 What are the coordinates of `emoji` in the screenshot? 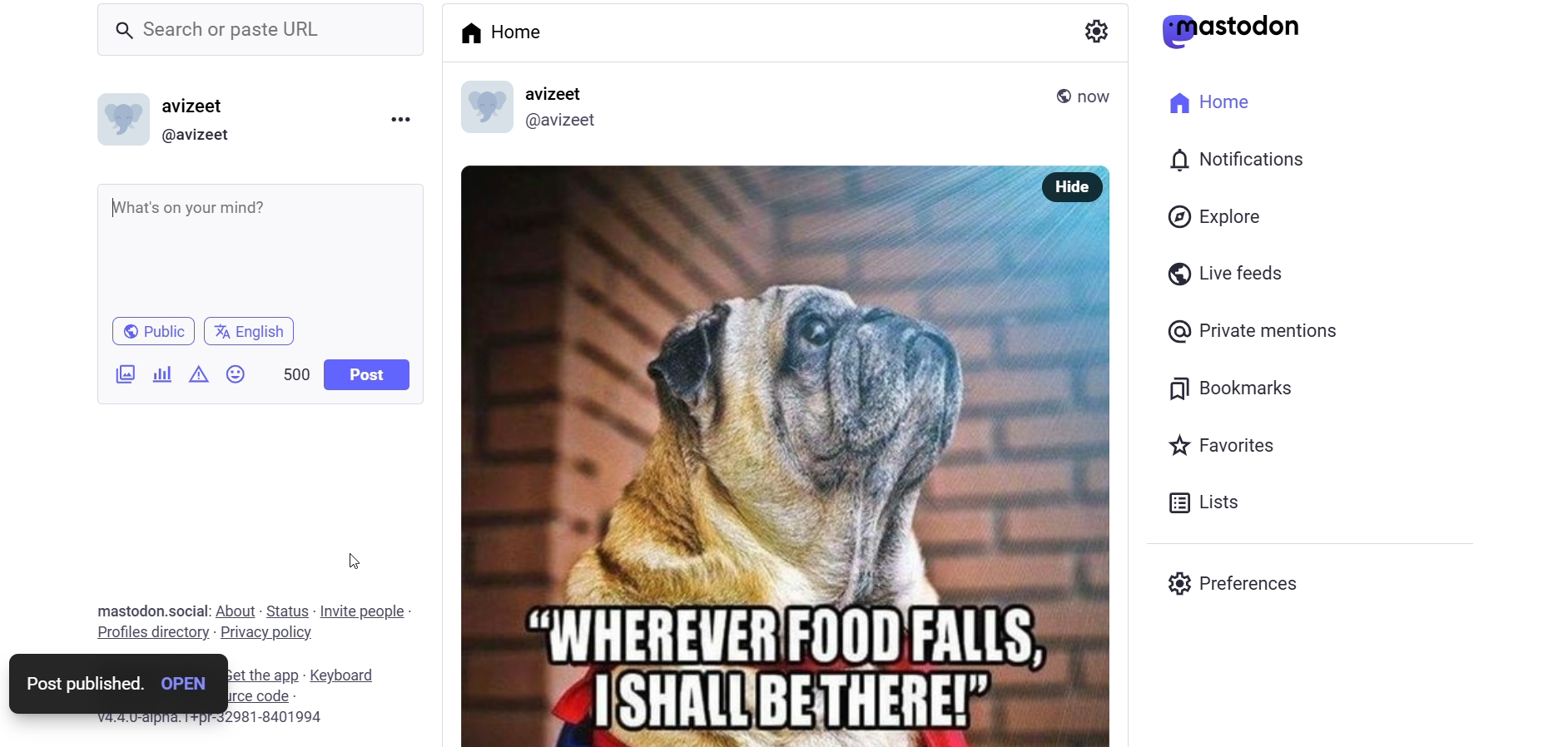 It's located at (239, 372).